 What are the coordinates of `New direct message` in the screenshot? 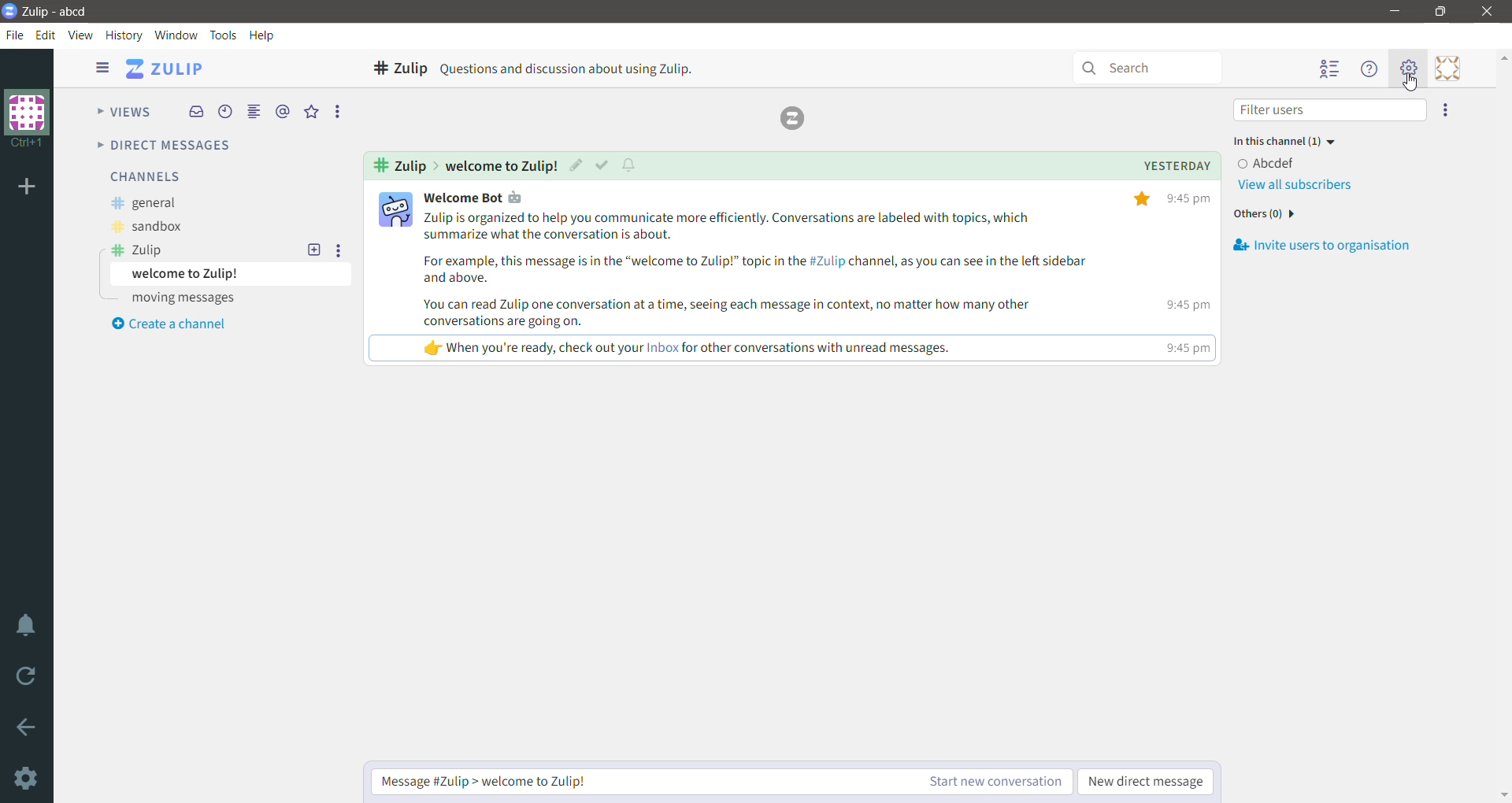 It's located at (1147, 783).